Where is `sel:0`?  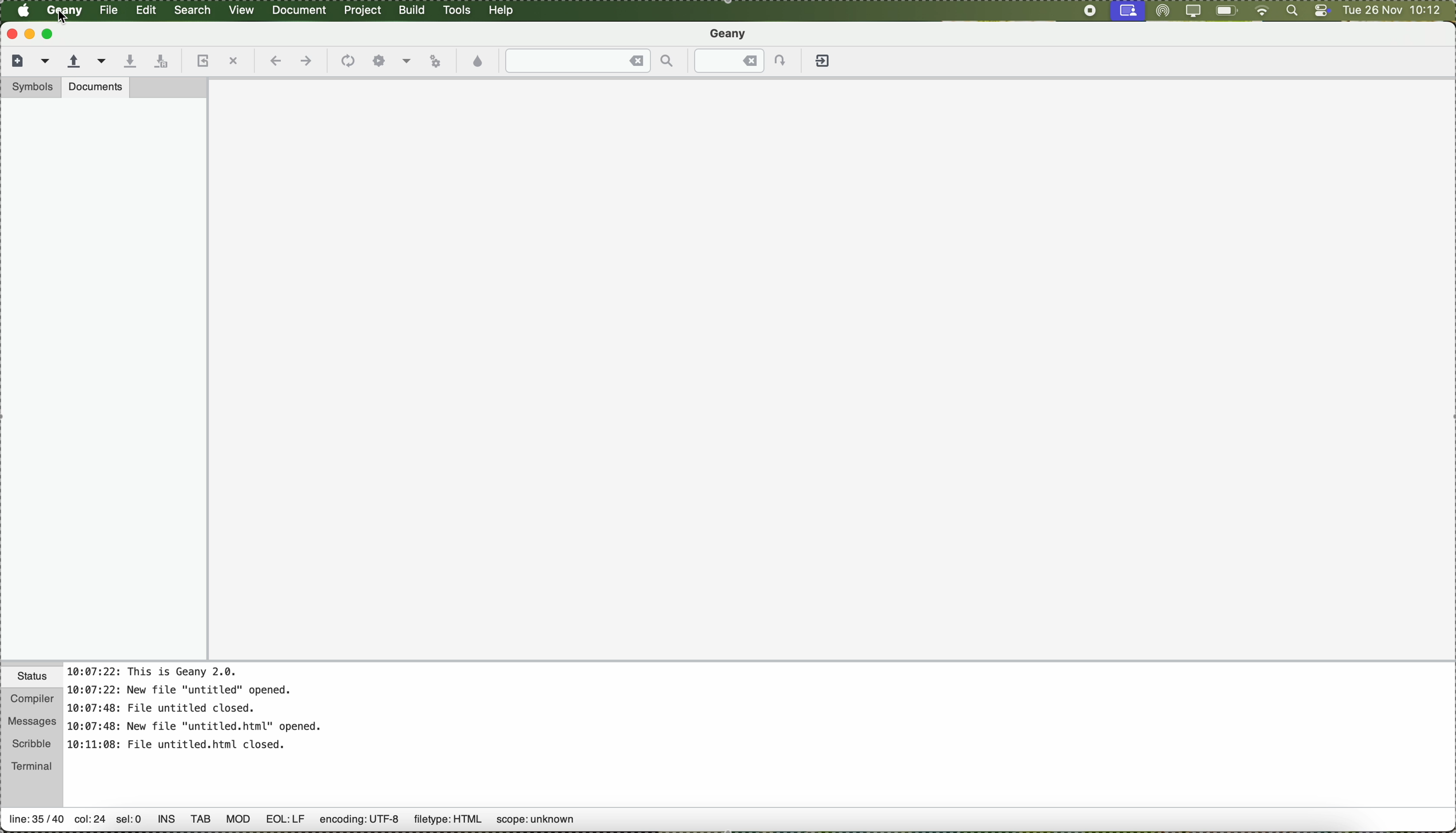
sel:0 is located at coordinates (130, 822).